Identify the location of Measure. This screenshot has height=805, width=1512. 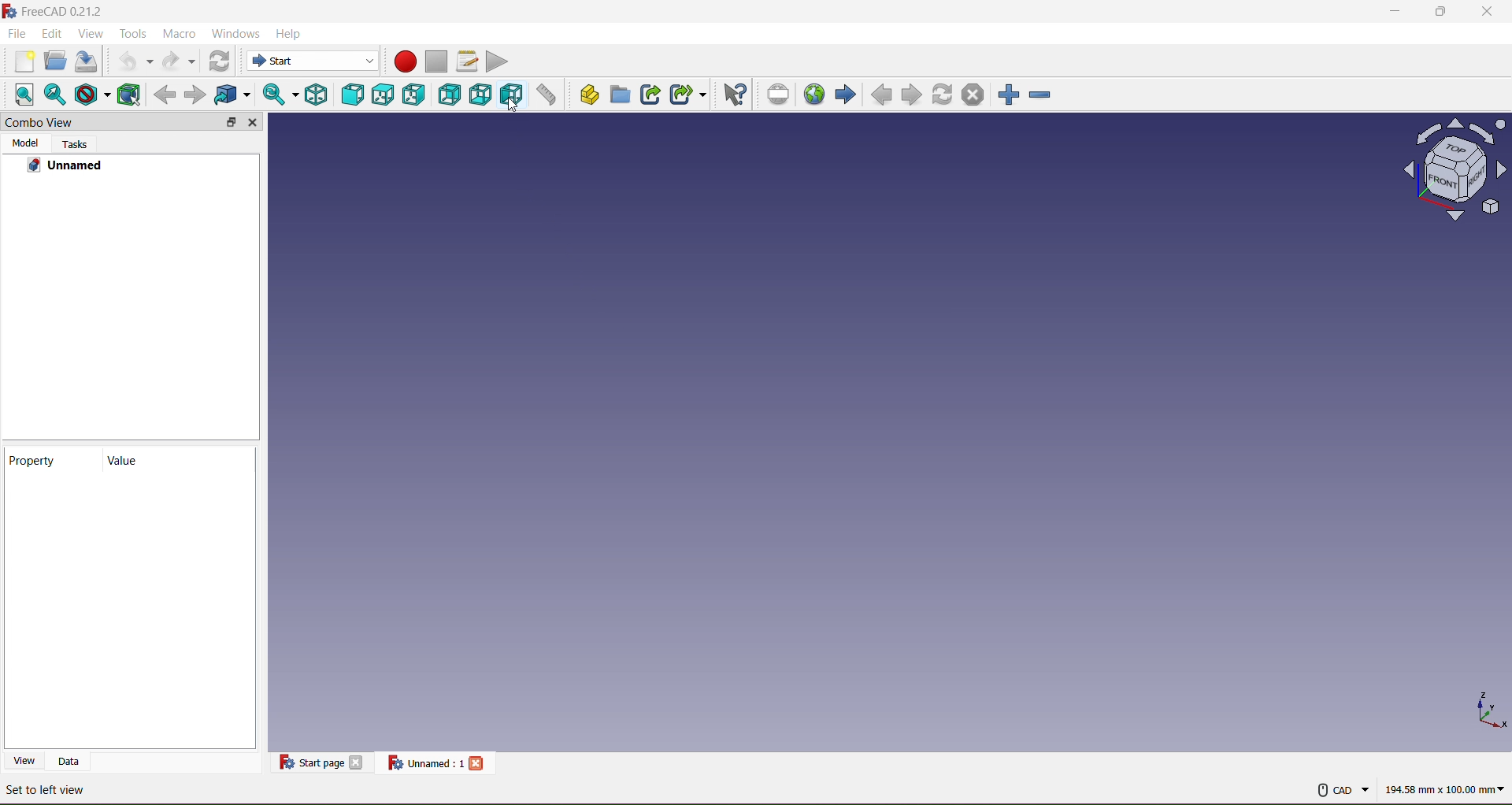
(547, 95).